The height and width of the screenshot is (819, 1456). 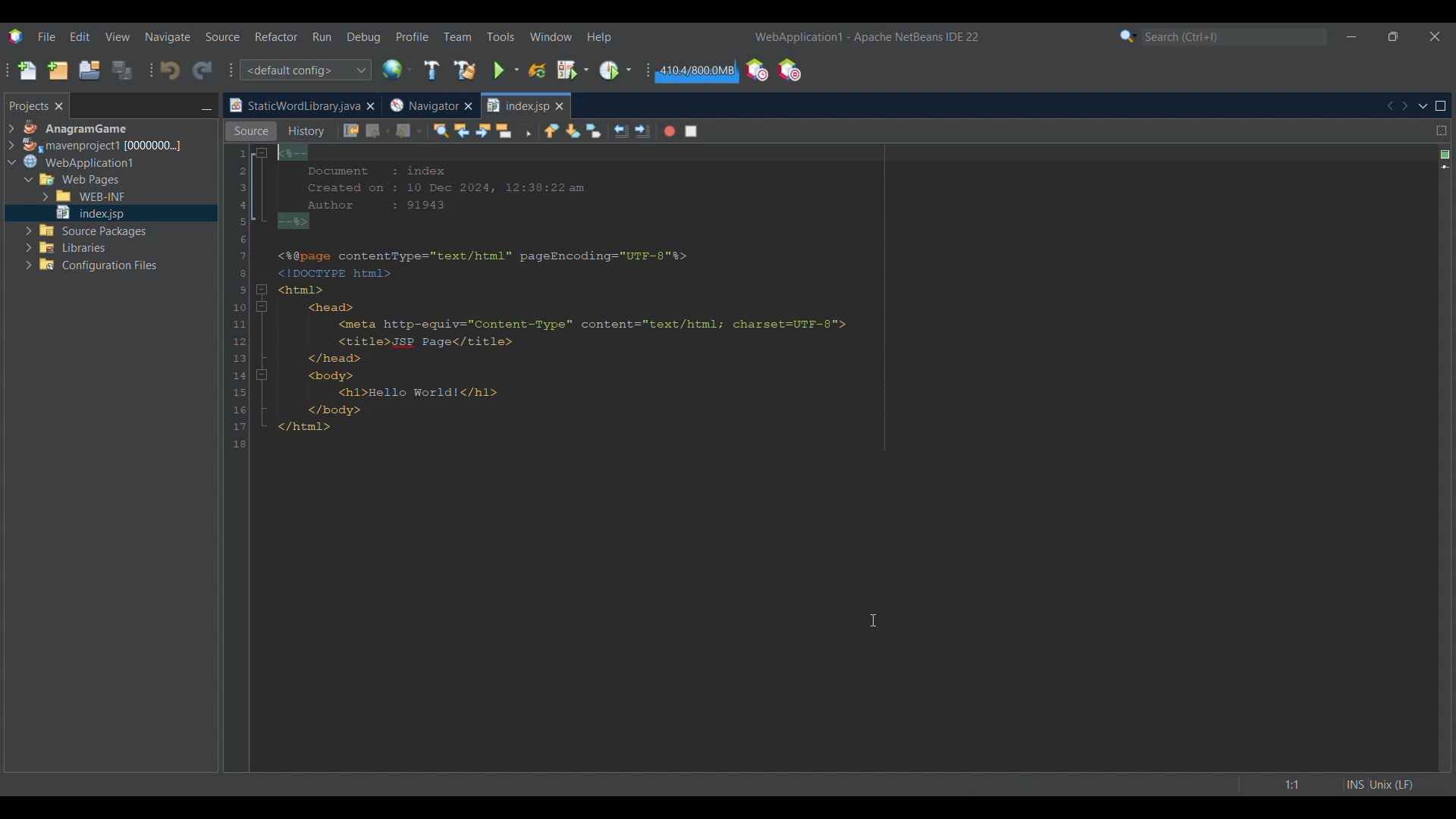 What do you see at coordinates (1441, 130) in the screenshot?
I see `Split window horizontally or vertically` at bounding box center [1441, 130].